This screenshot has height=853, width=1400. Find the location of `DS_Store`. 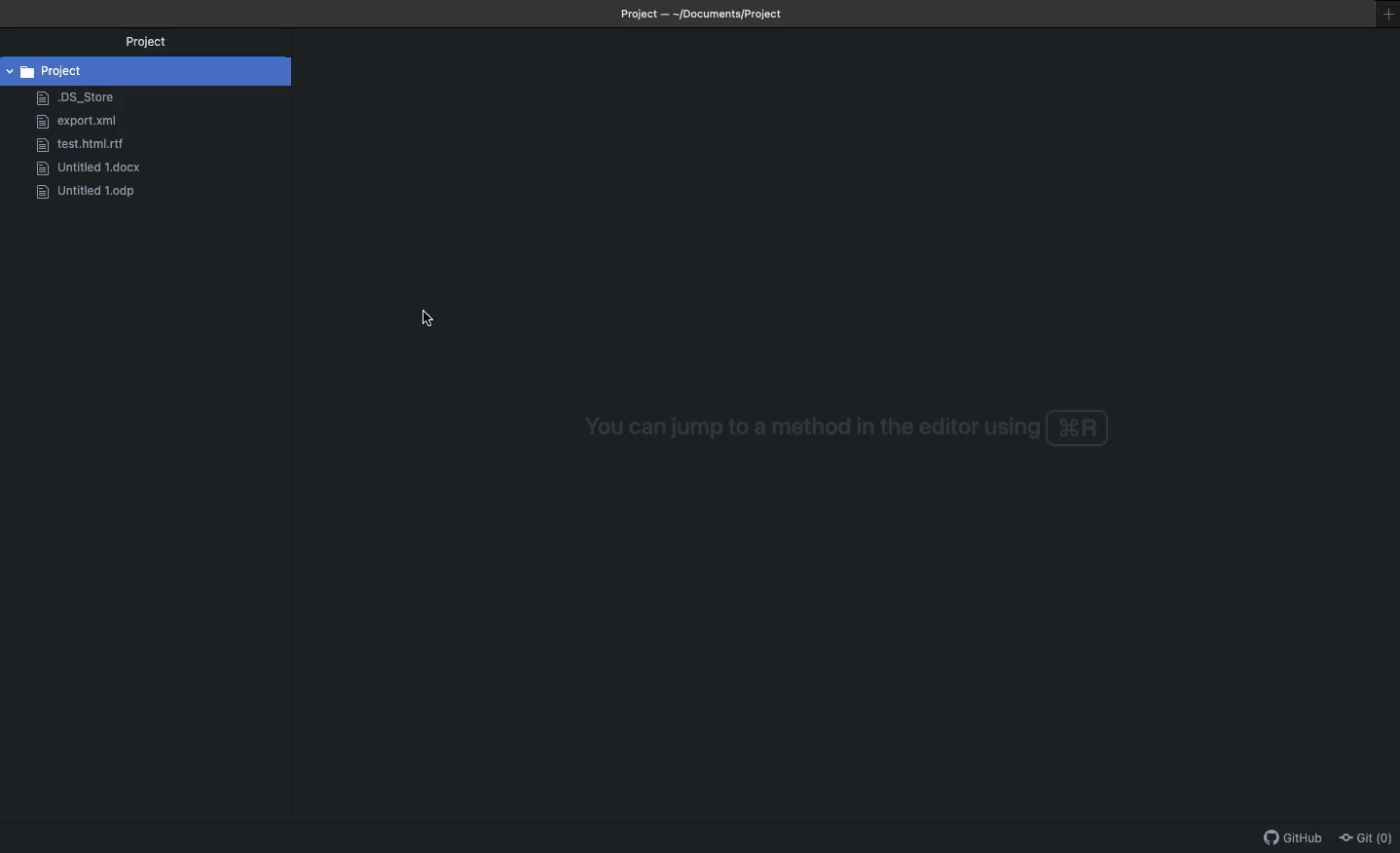

DS_Store is located at coordinates (75, 98).